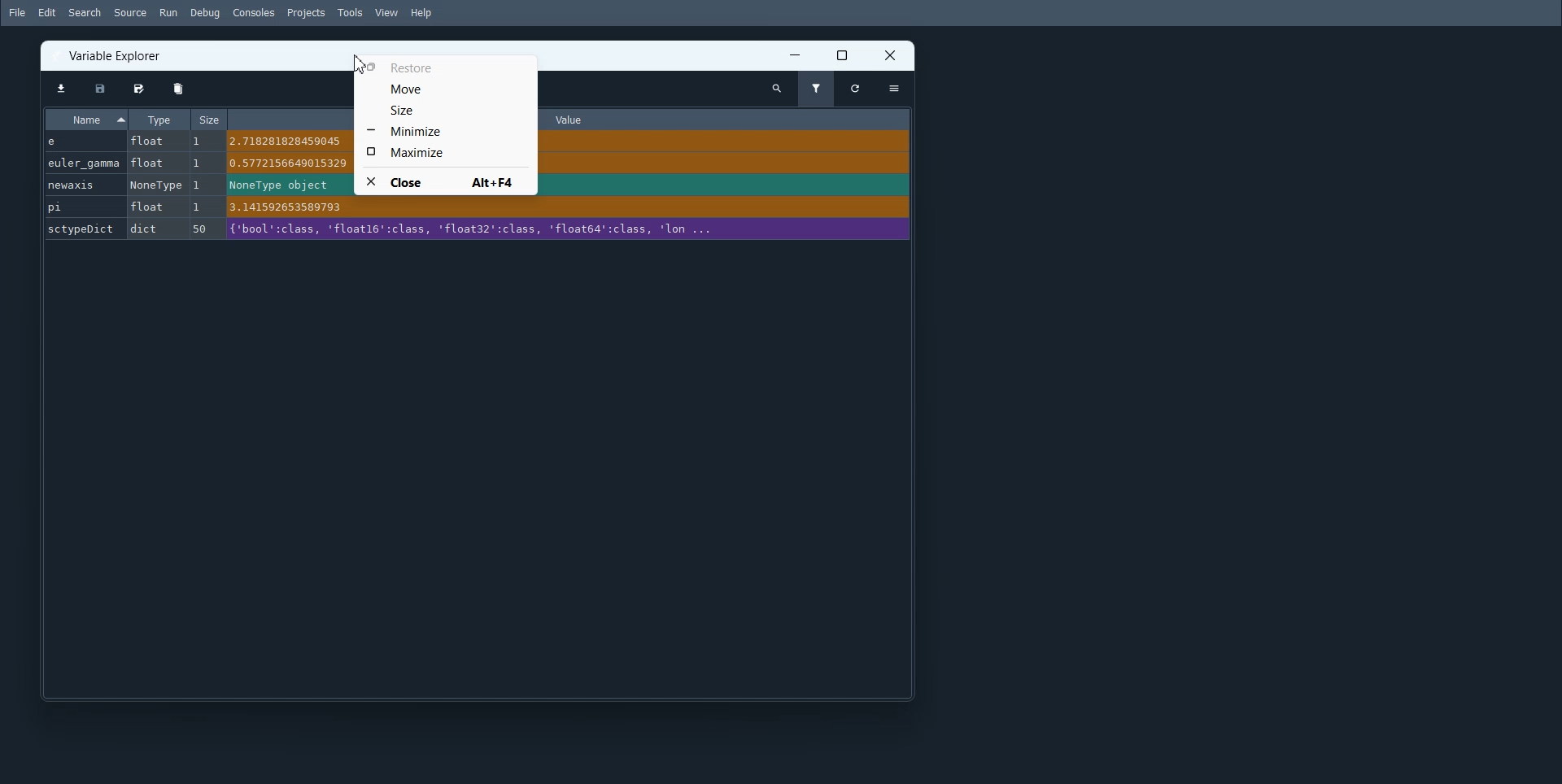  What do you see at coordinates (470, 229) in the screenshot?
I see `('bool':class, 'floatl6':class, 'float32':class, 'float64':class, 'lon ...` at bounding box center [470, 229].